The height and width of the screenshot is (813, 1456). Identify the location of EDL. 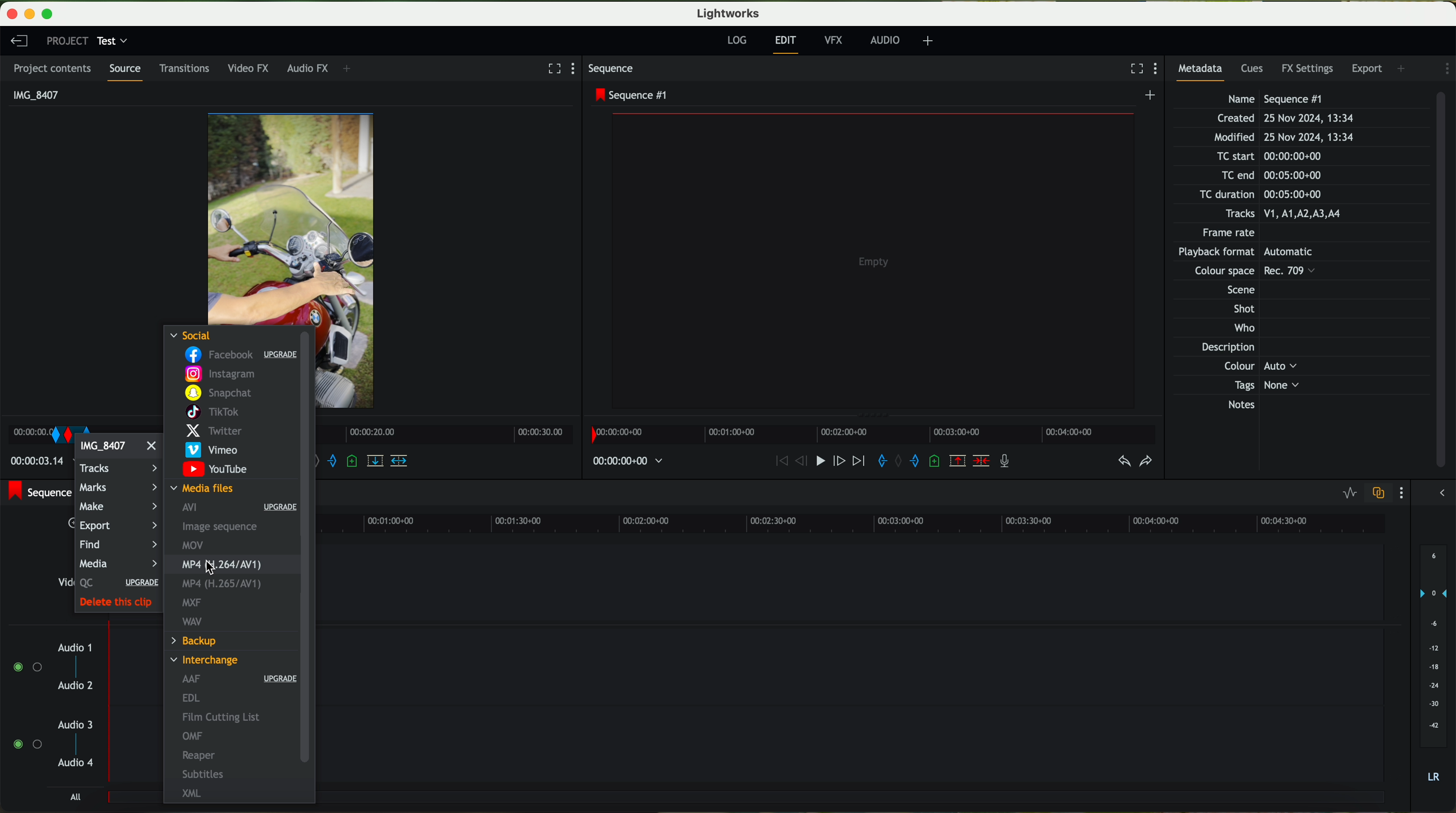
(192, 698).